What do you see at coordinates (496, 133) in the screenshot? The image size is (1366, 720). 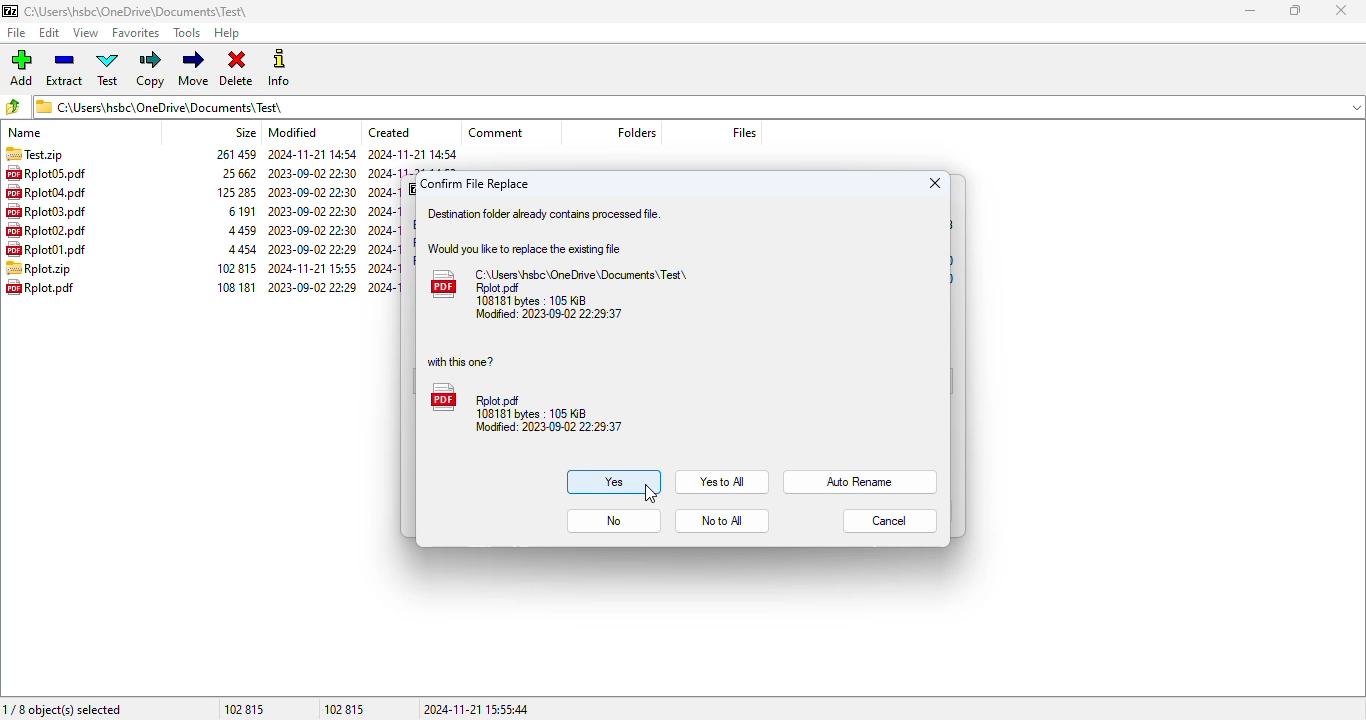 I see `comment` at bounding box center [496, 133].